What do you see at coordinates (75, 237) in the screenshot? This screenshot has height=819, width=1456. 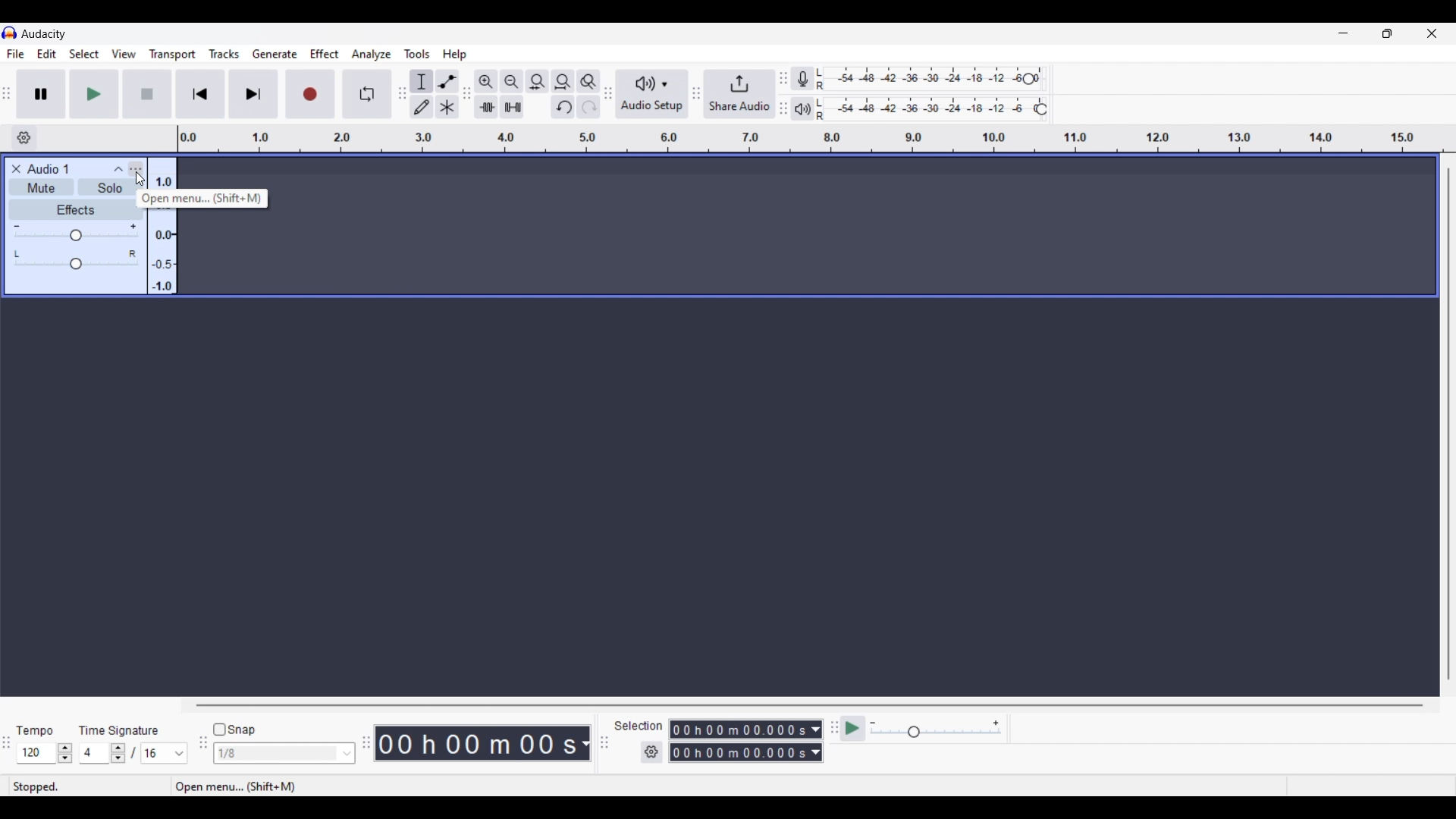 I see `Gain` at bounding box center [75, 237].